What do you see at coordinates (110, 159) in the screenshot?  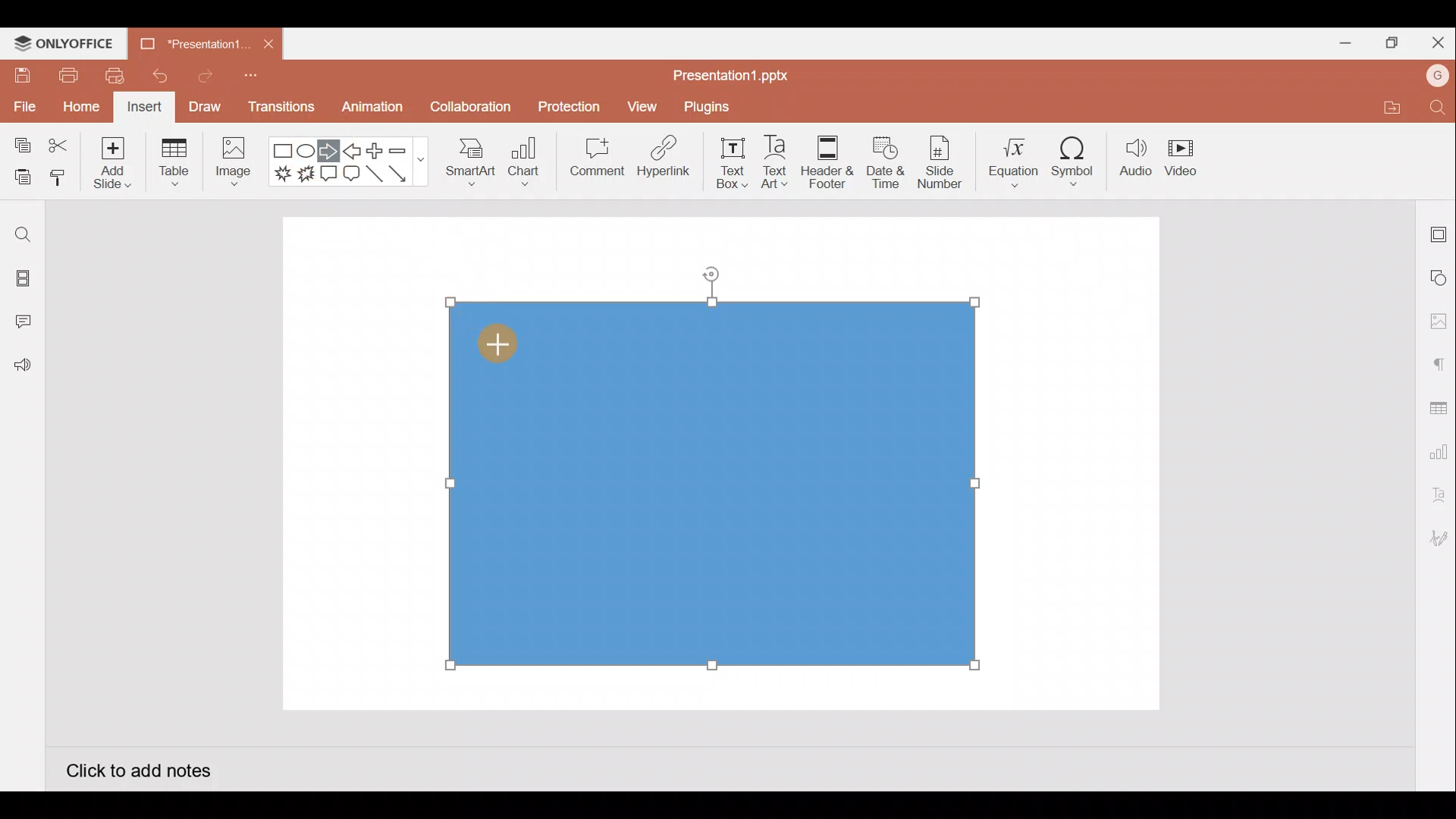 I see `Add slide` at bounding box center [110, 159].